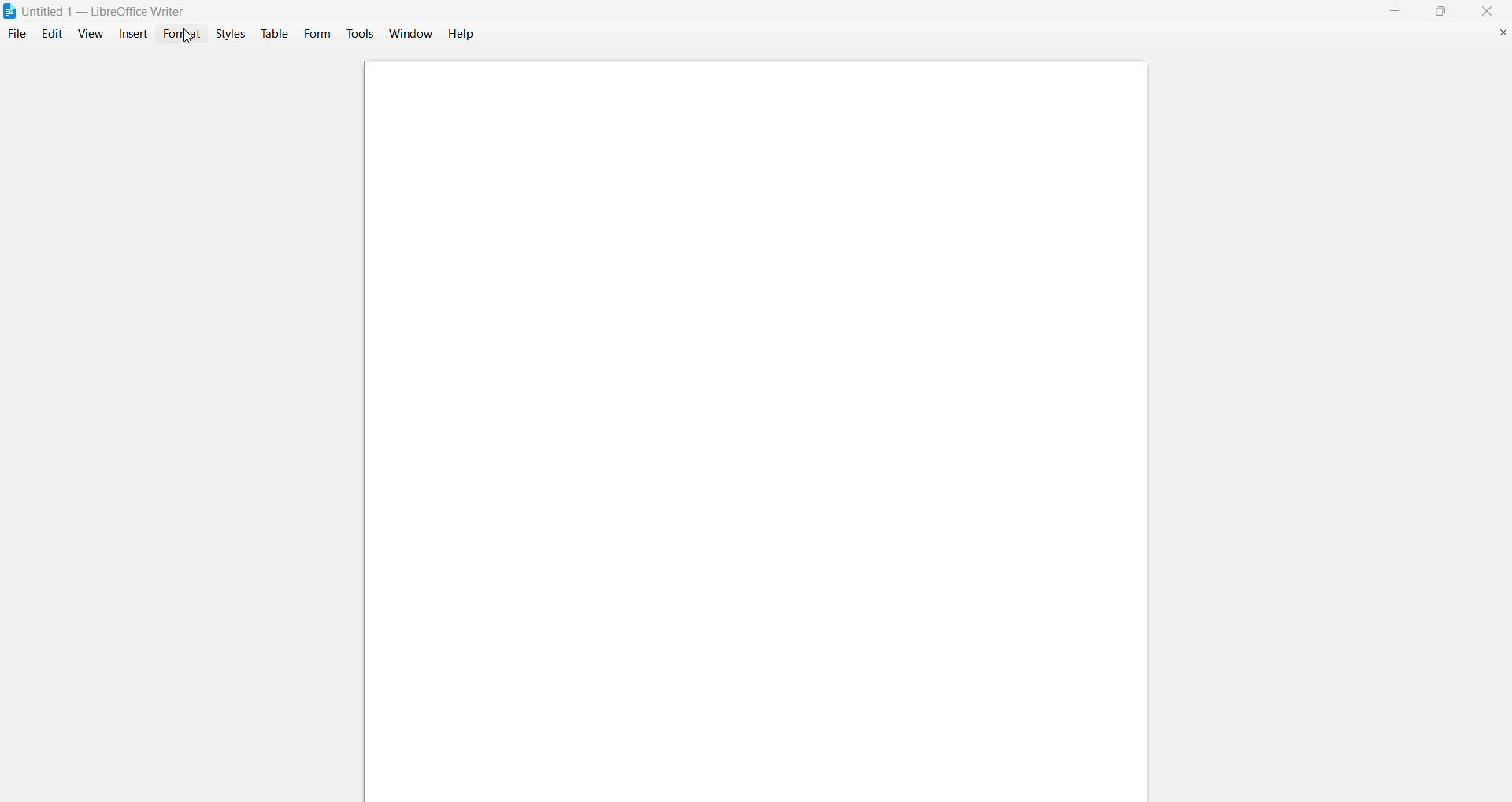  What do you see at coordinates (274, 35) in the screenshot?
I see `table` at bounding box center [274, 35].